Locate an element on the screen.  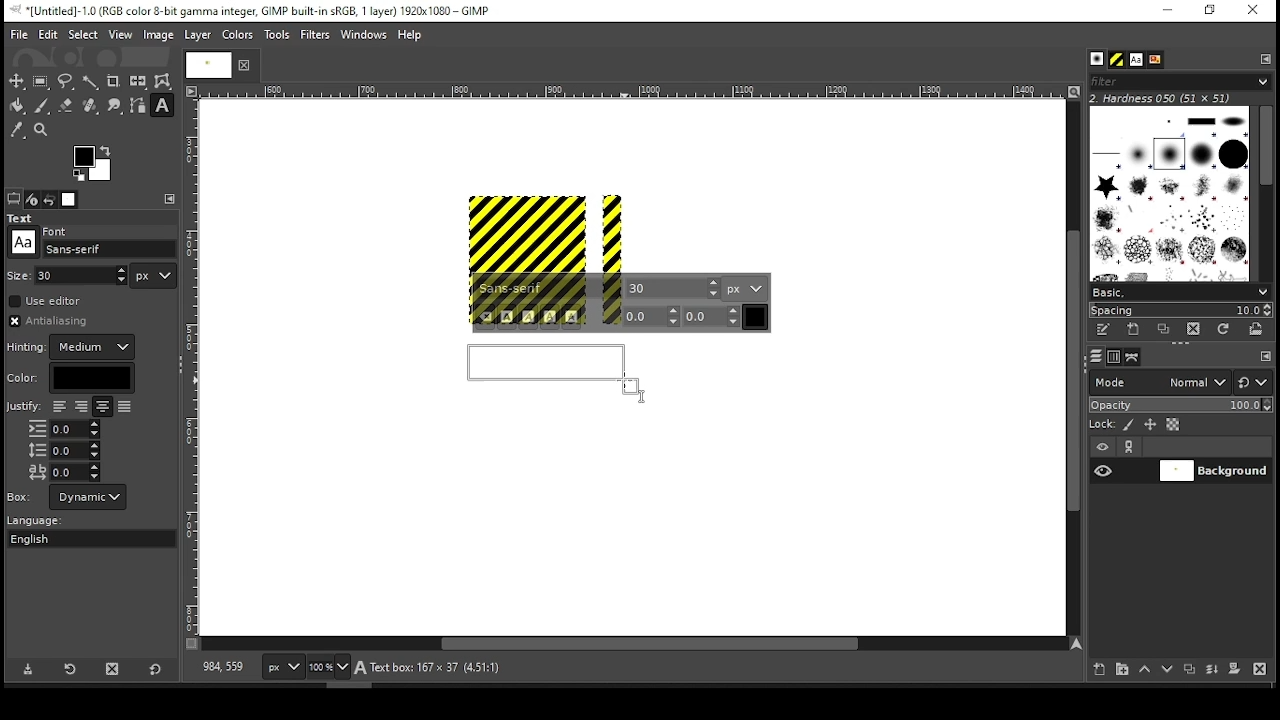
rectangular selection tool is located at coordinates (43, 81).